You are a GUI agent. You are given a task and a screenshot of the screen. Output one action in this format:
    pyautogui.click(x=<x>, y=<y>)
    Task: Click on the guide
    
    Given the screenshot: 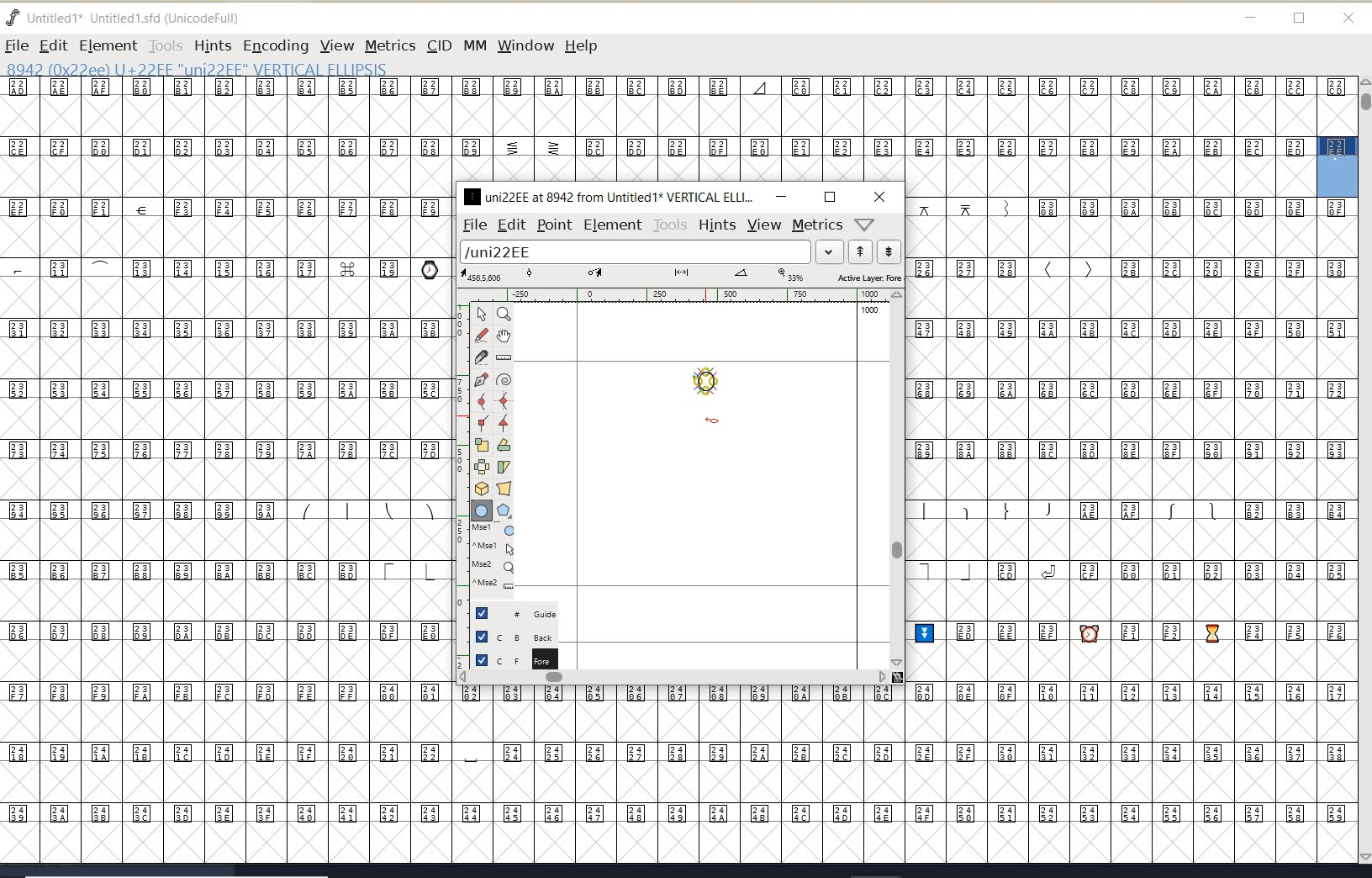 What is the action you would take?
    pyautogui.click(x=522, y=611)
    